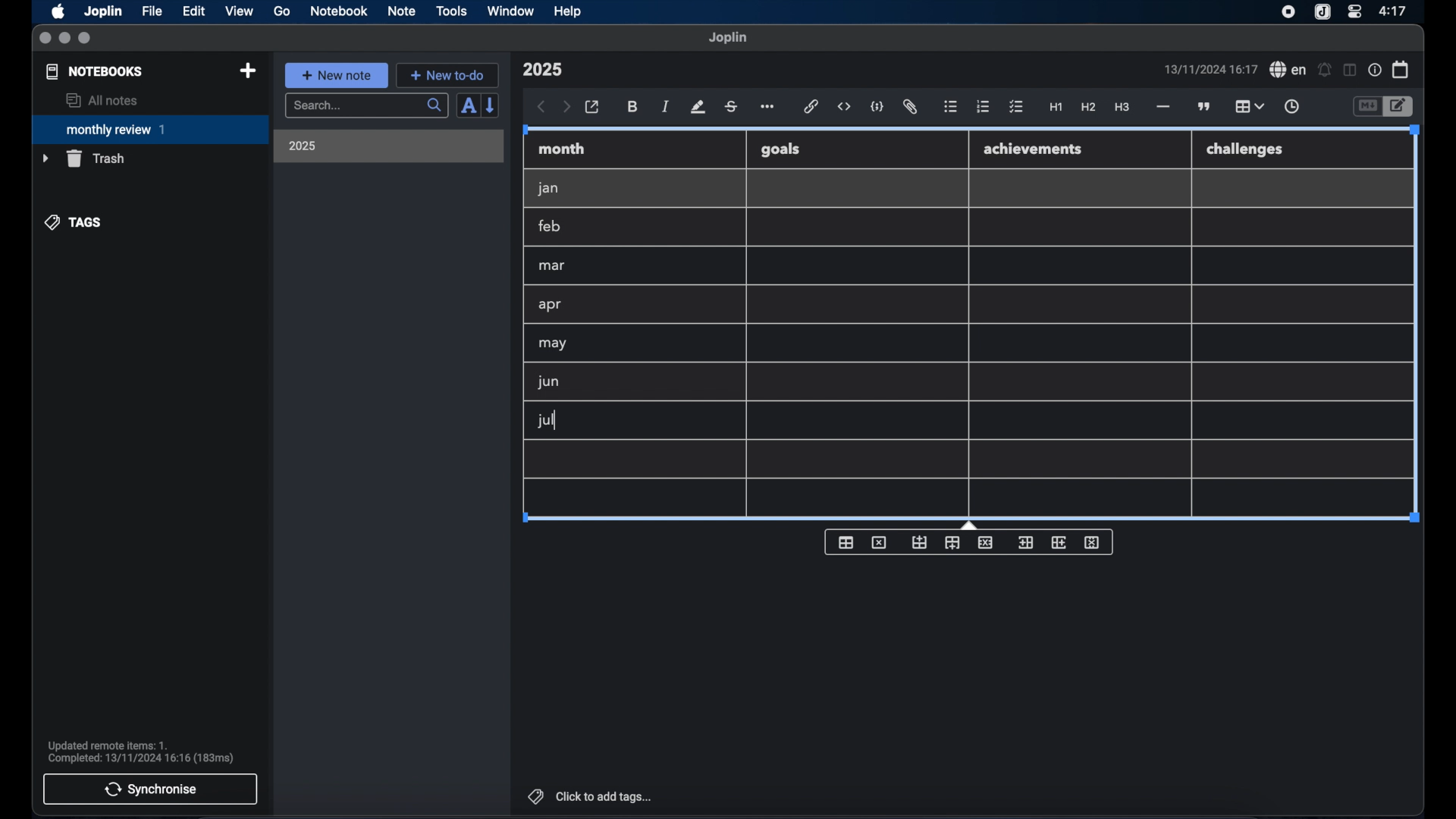  I want to click on new notebook, so click(247, 71).